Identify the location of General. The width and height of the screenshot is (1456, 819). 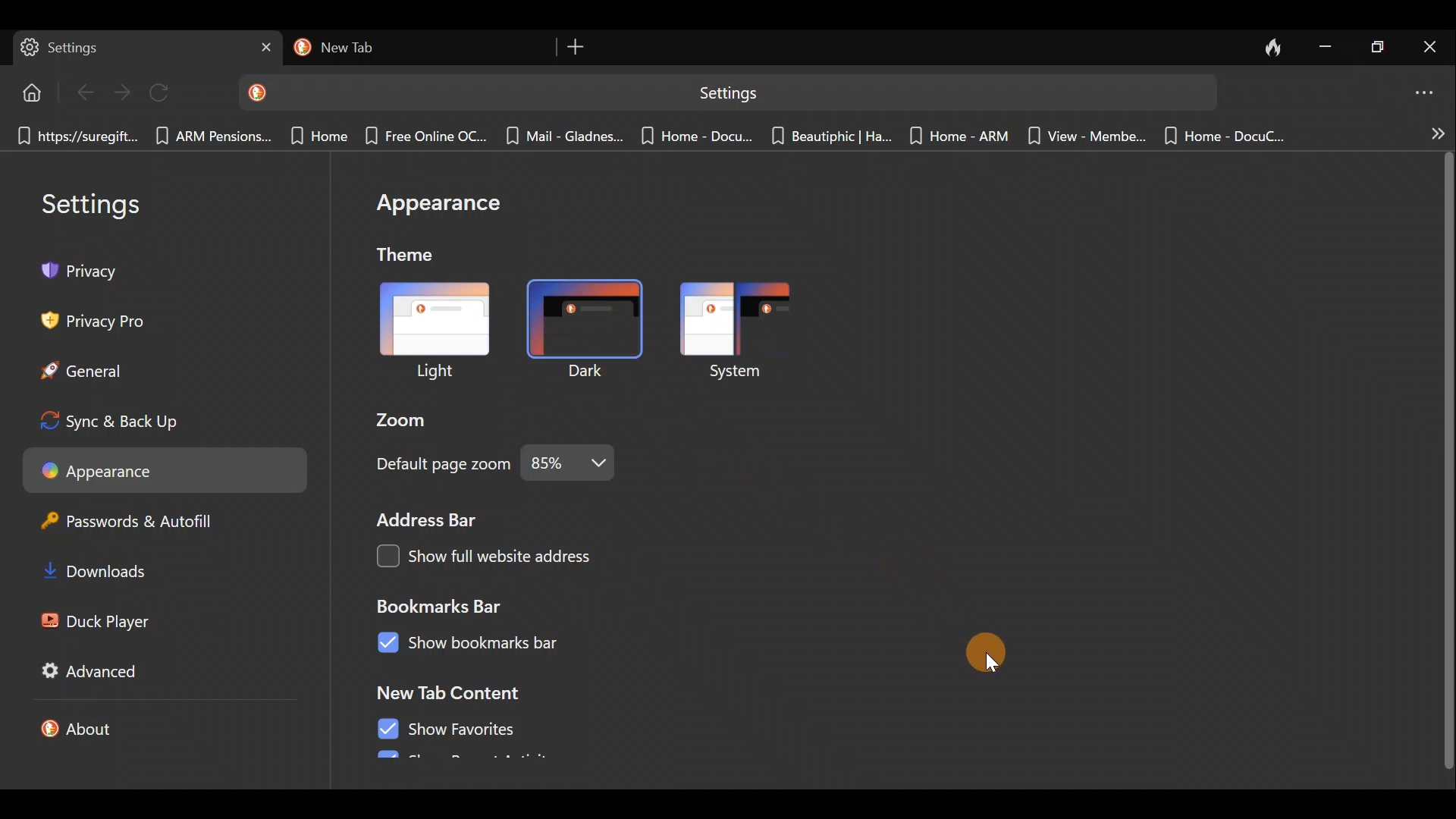
(81, 366).